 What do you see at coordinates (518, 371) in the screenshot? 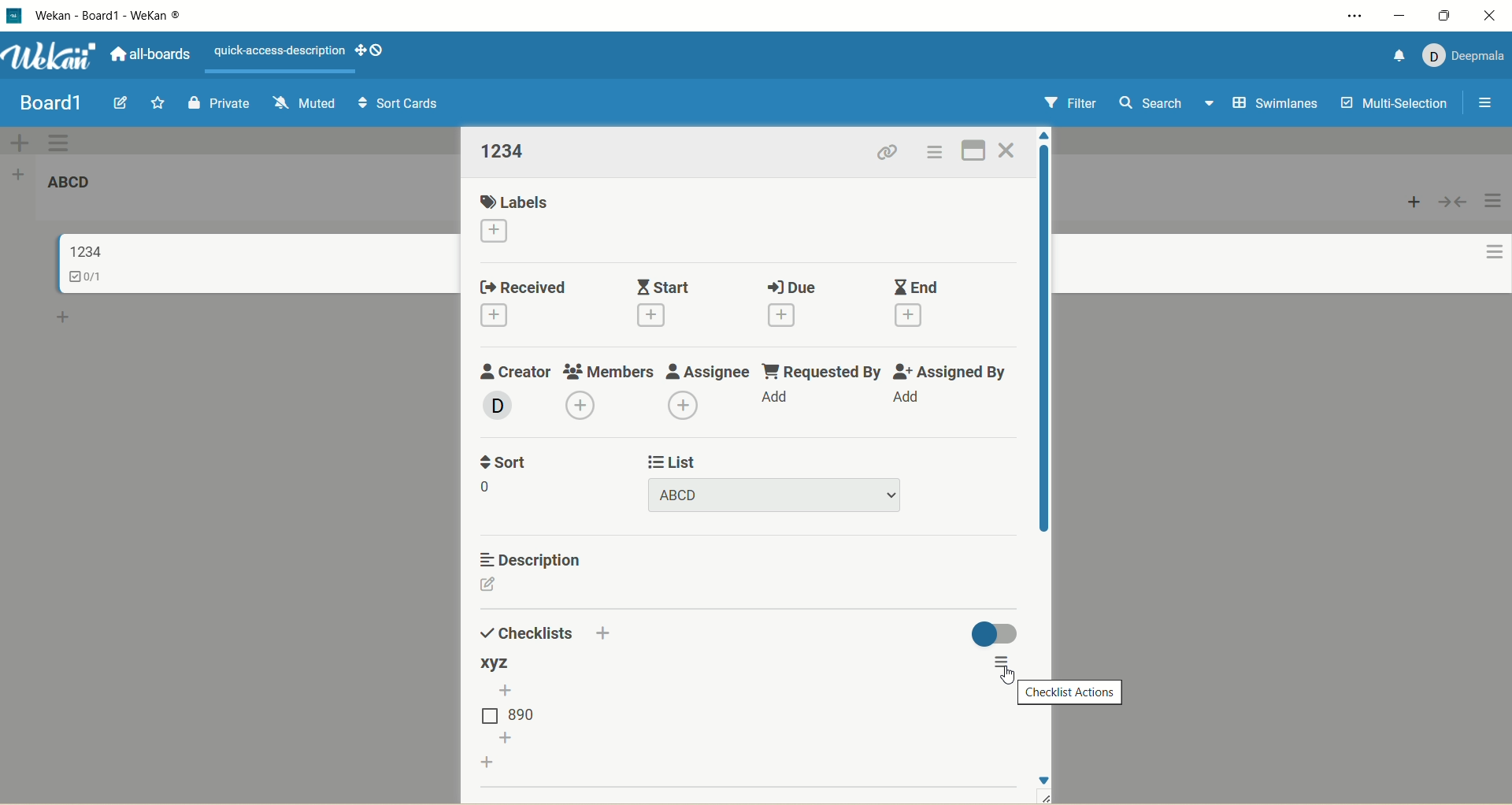
I see `creator` at bounding box center [518, 371].